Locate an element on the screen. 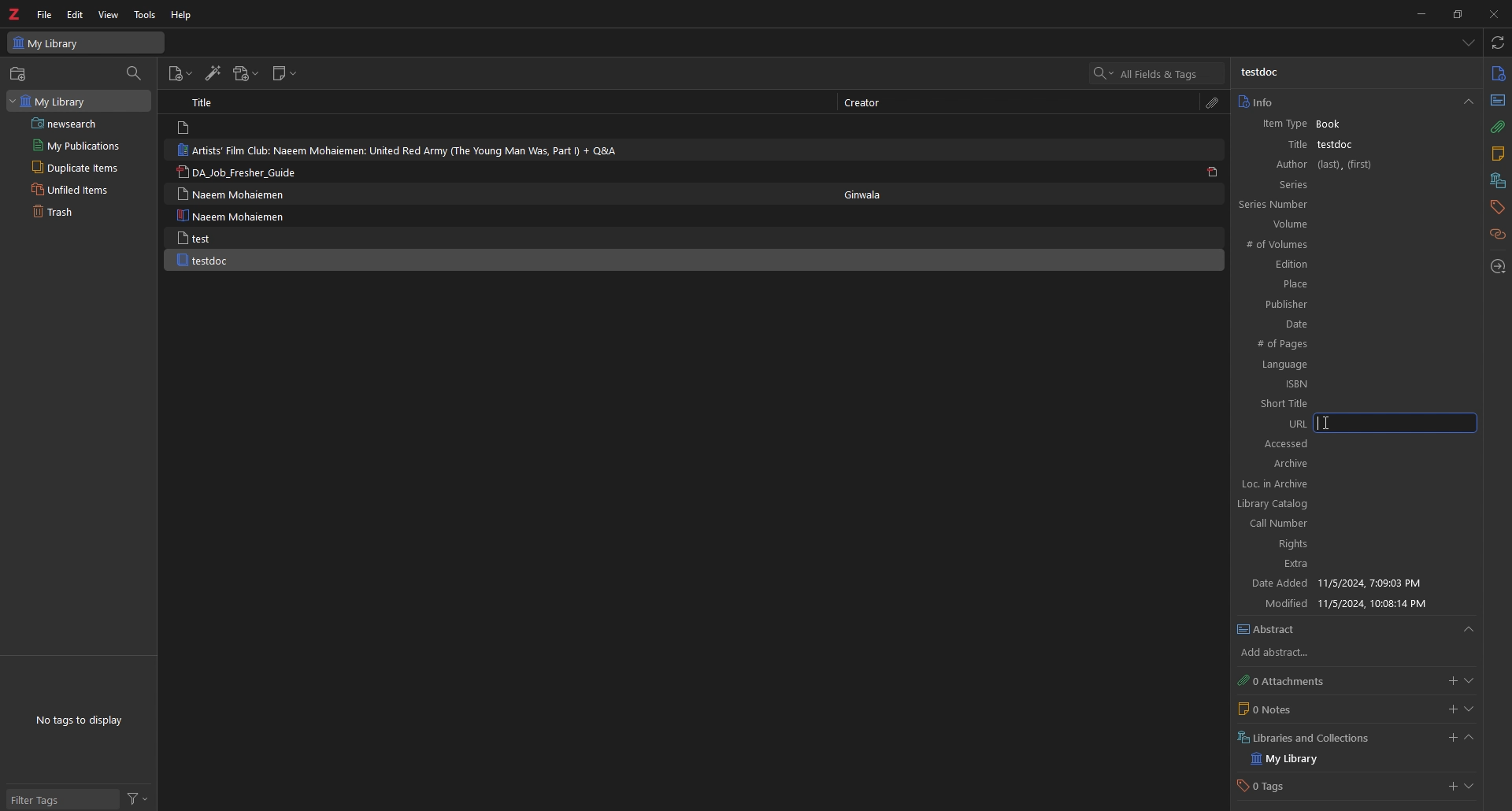 This screenshot has height=811, width=1512. filter items is located at coordinates (135, 73).